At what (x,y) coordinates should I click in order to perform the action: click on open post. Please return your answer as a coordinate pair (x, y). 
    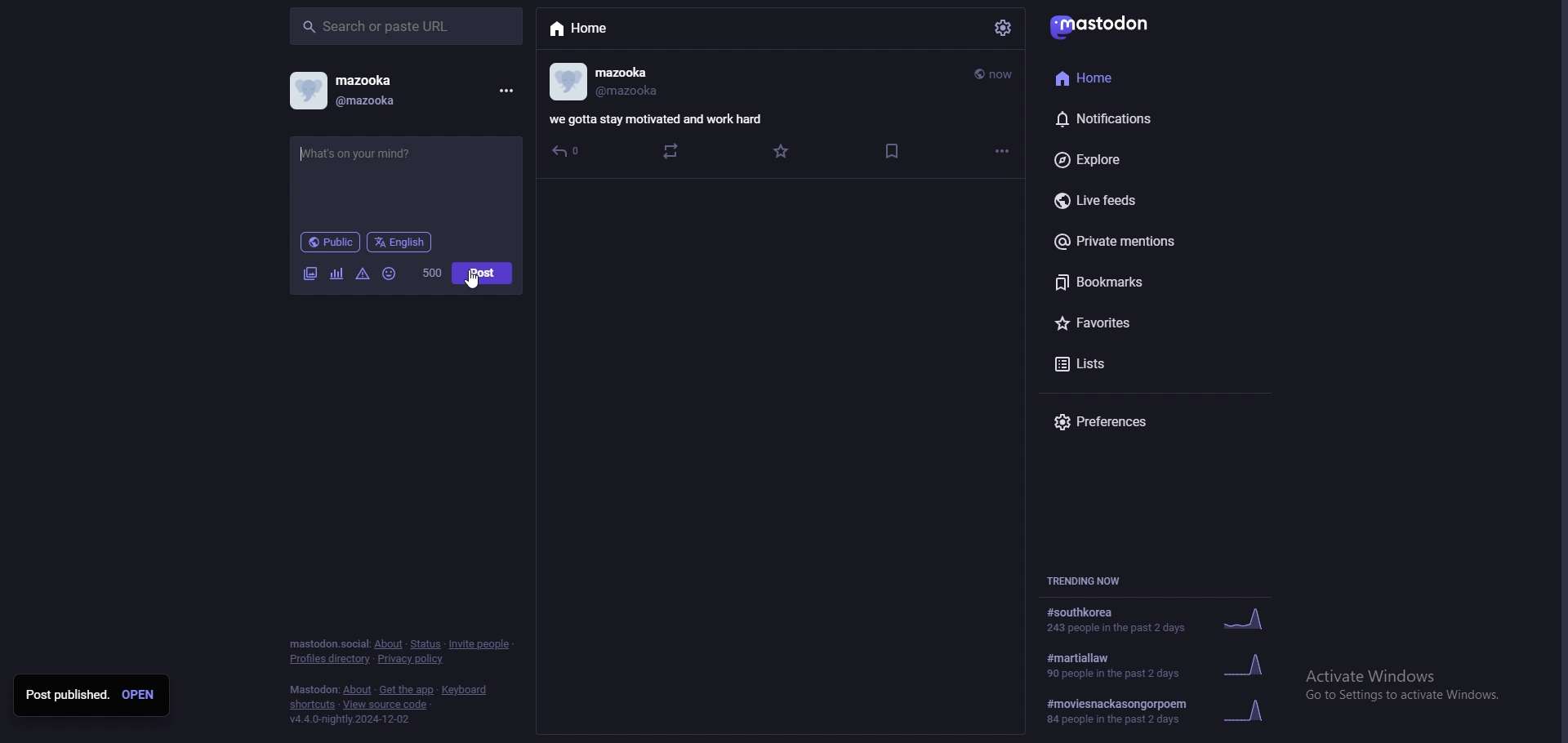
    Looking at the image, I should click on (138, 694).